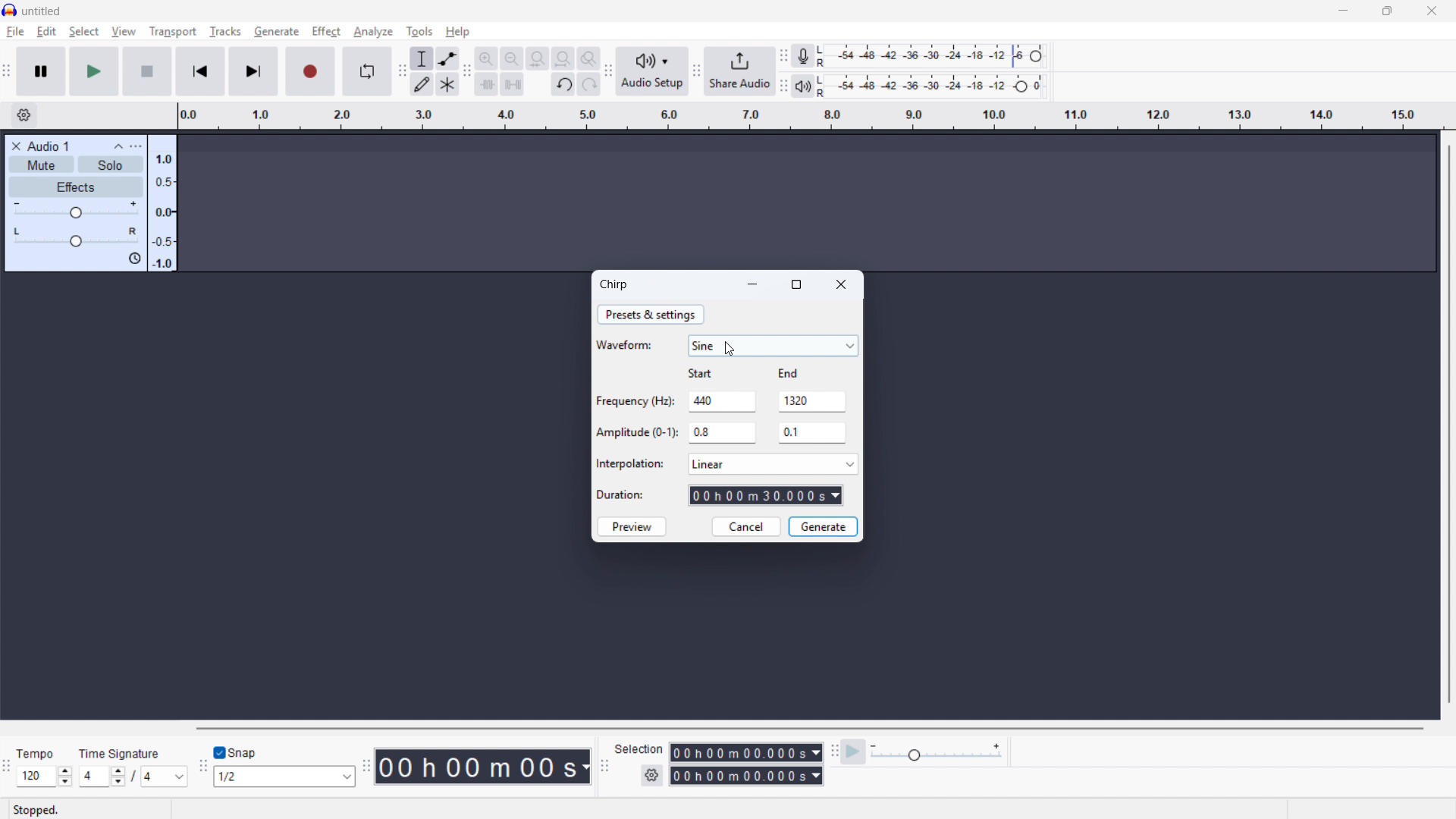  What do you see at coordinates (15, 146) in the screenshot?
I see `Remove track ` at bounding box center [15, 146].